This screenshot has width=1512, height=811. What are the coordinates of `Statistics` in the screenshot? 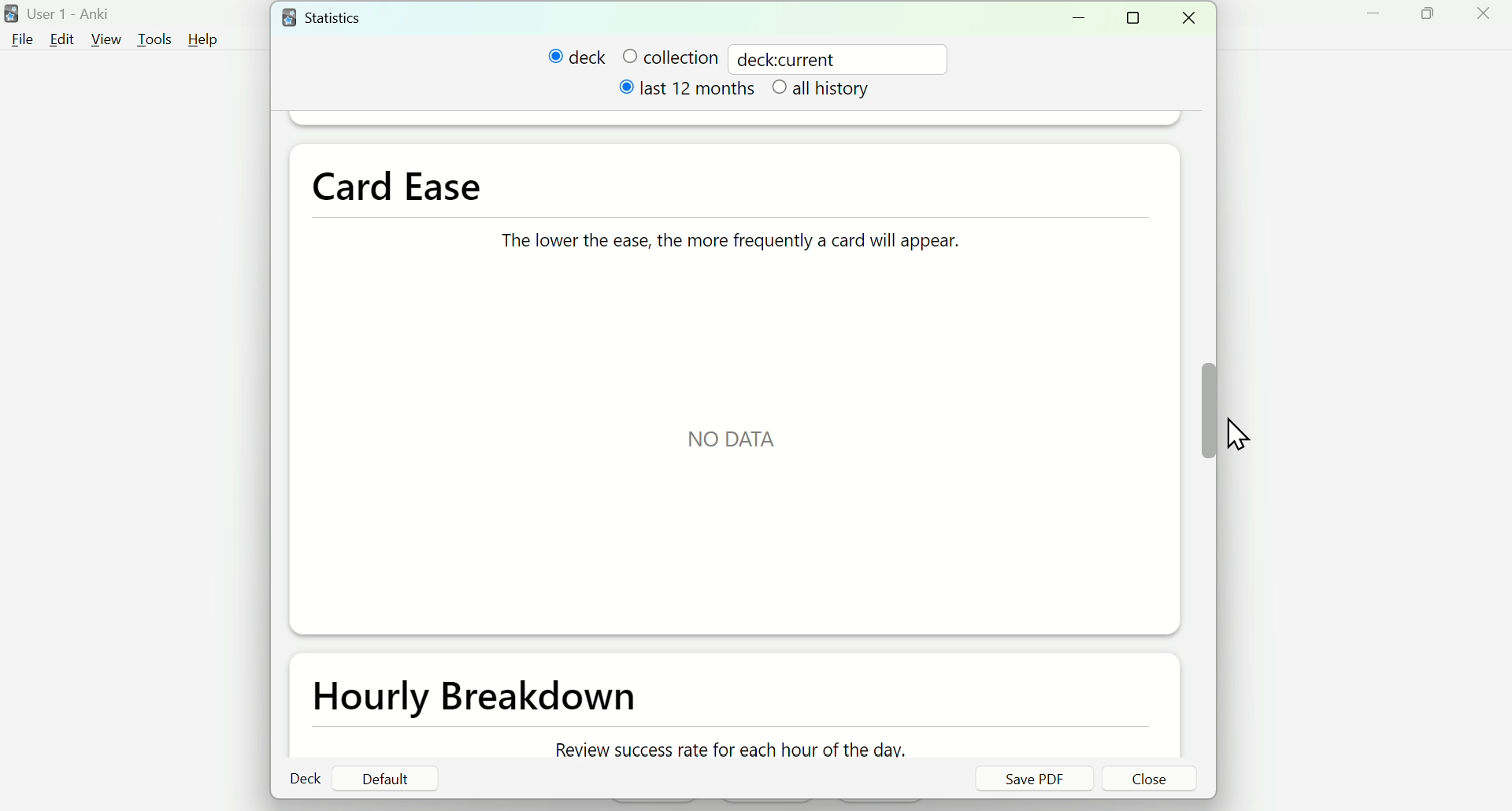 It's located at (339, 17).